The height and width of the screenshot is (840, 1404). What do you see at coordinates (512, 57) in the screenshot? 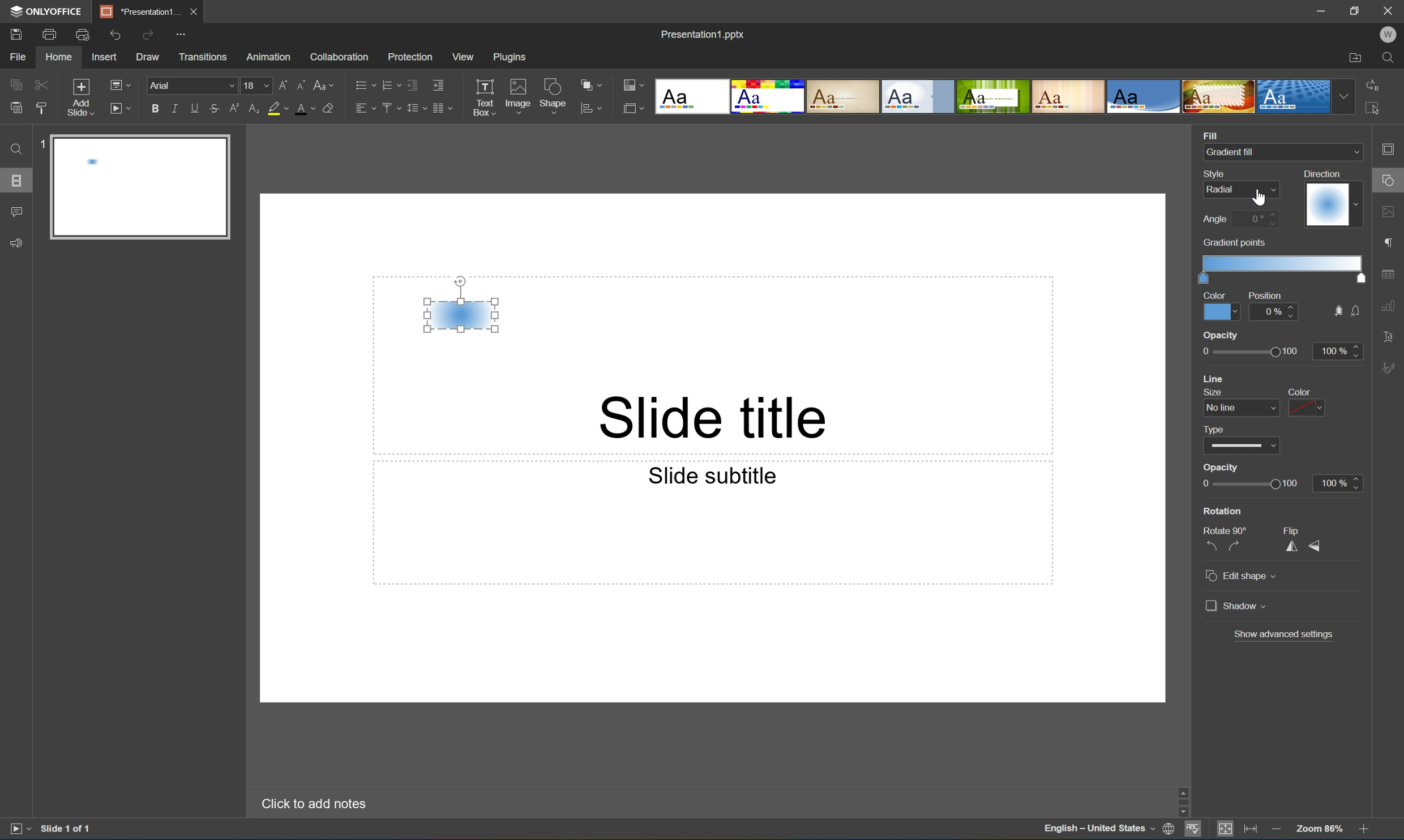
I see `Plugins` at bounding box center [512, 57].